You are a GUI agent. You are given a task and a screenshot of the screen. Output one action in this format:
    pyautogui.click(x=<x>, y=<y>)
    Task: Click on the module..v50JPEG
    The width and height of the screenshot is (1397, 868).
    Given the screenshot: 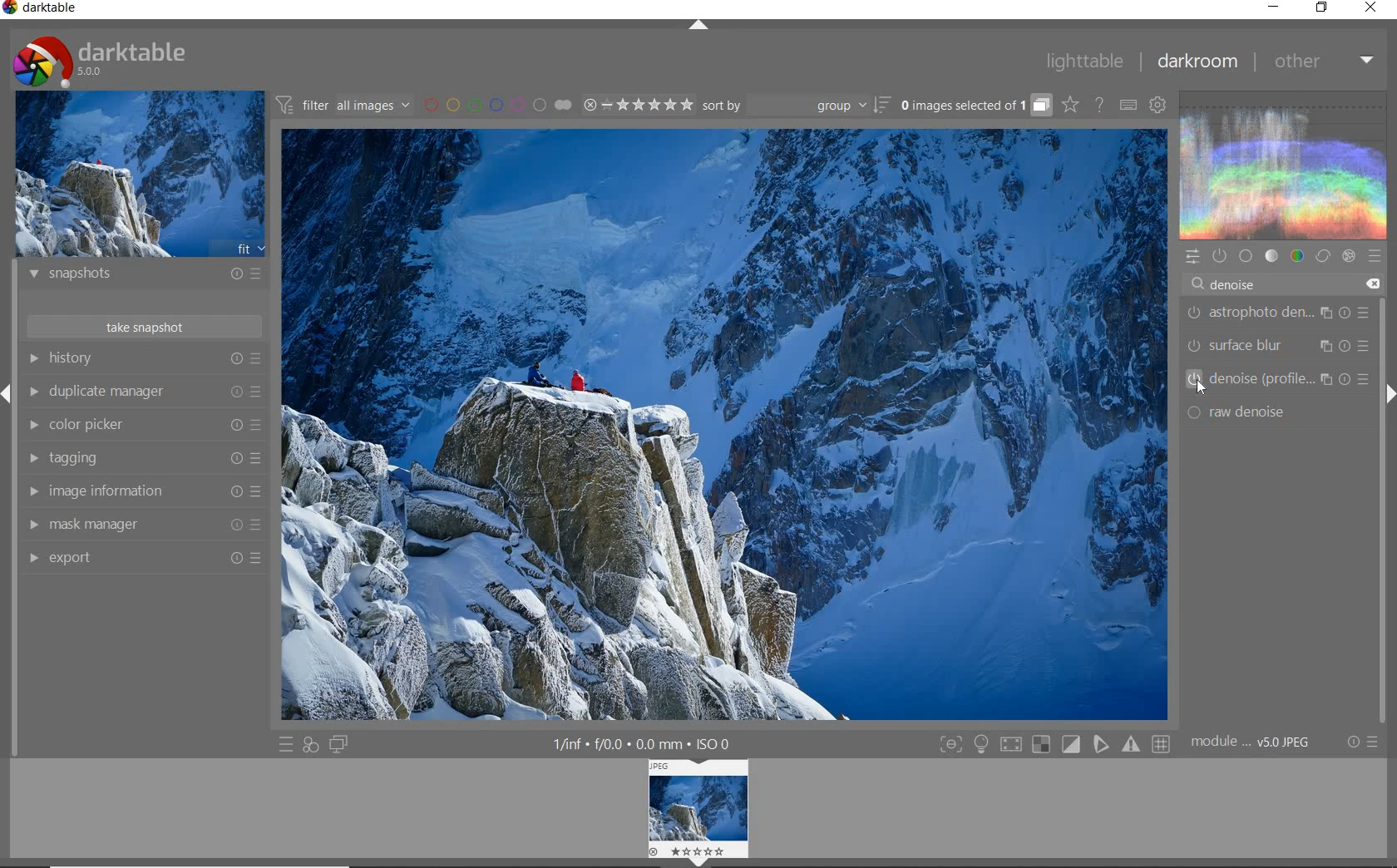 What is the action you would take?
    pyautogui.click(x=1255, y=742)
    